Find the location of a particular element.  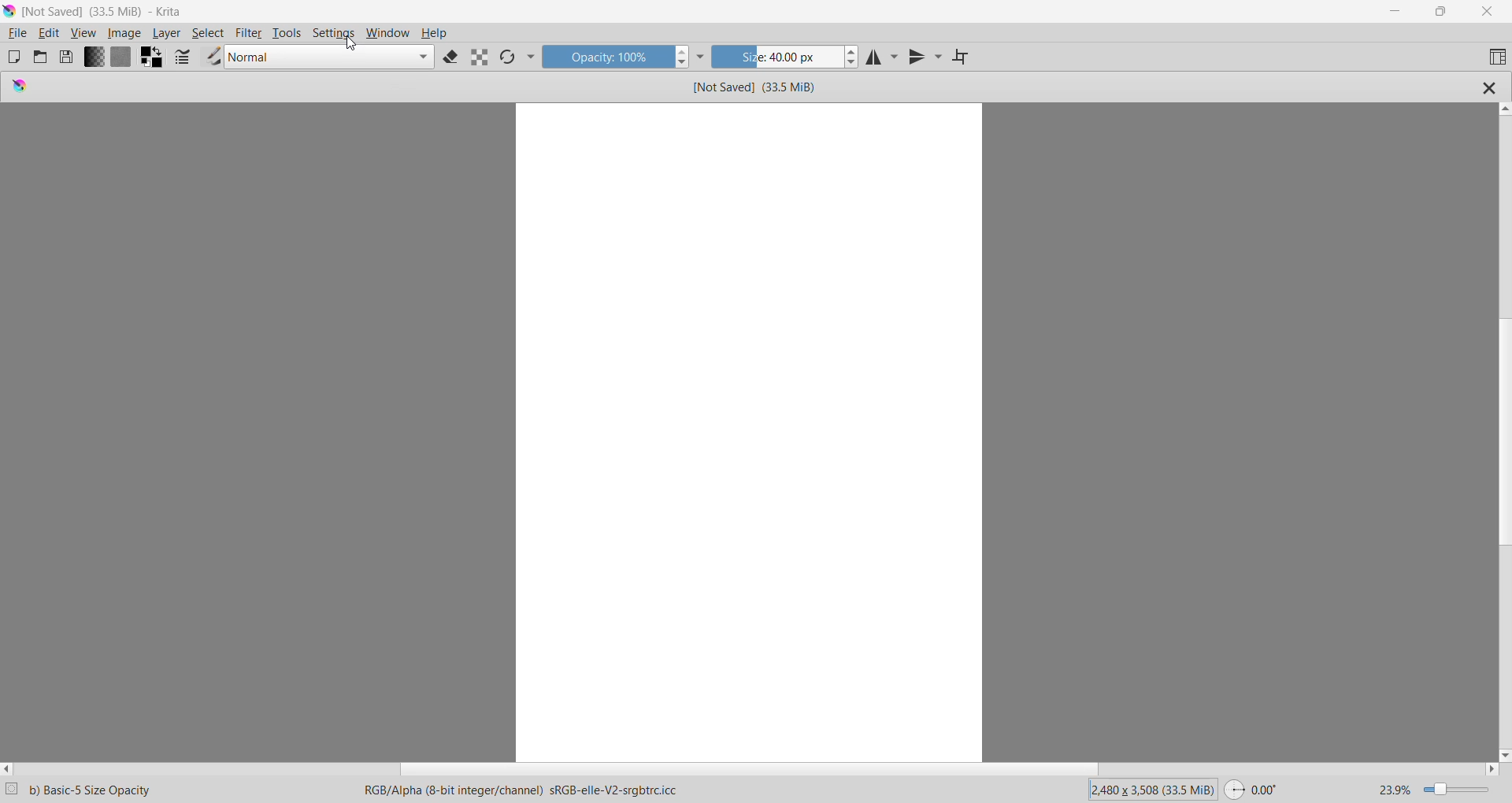

Close is located at coordinates (1492, 12).